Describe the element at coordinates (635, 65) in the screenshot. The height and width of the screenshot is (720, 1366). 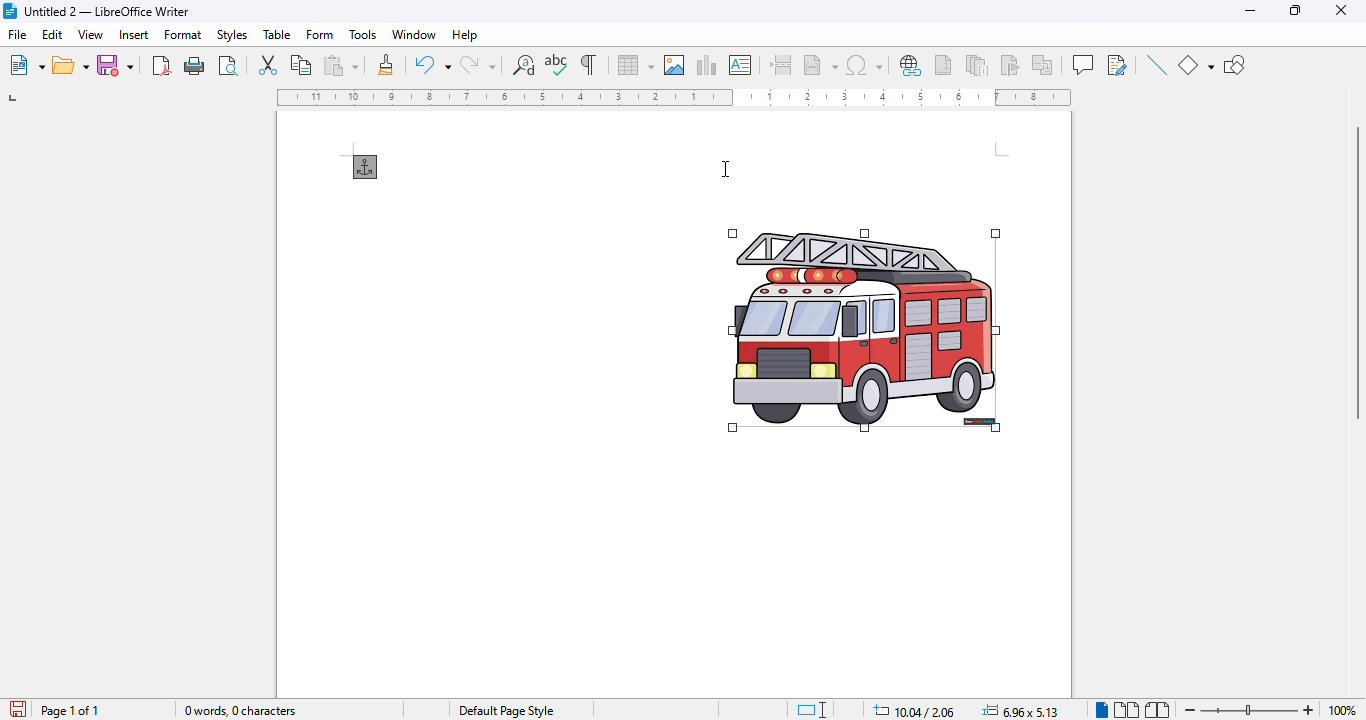
I see `table` at that location.